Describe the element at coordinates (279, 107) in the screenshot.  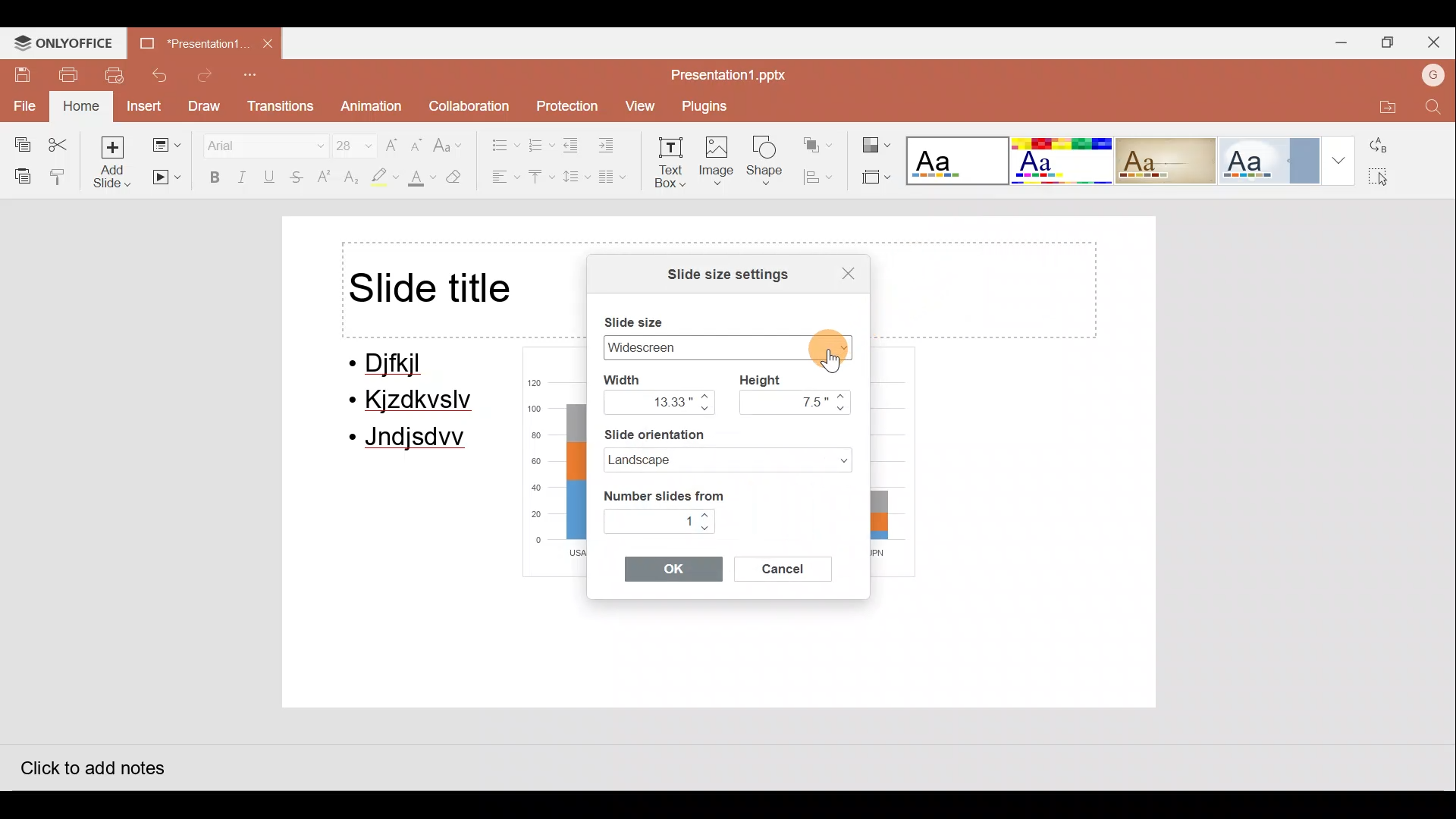
I see `Transitions` at that location.